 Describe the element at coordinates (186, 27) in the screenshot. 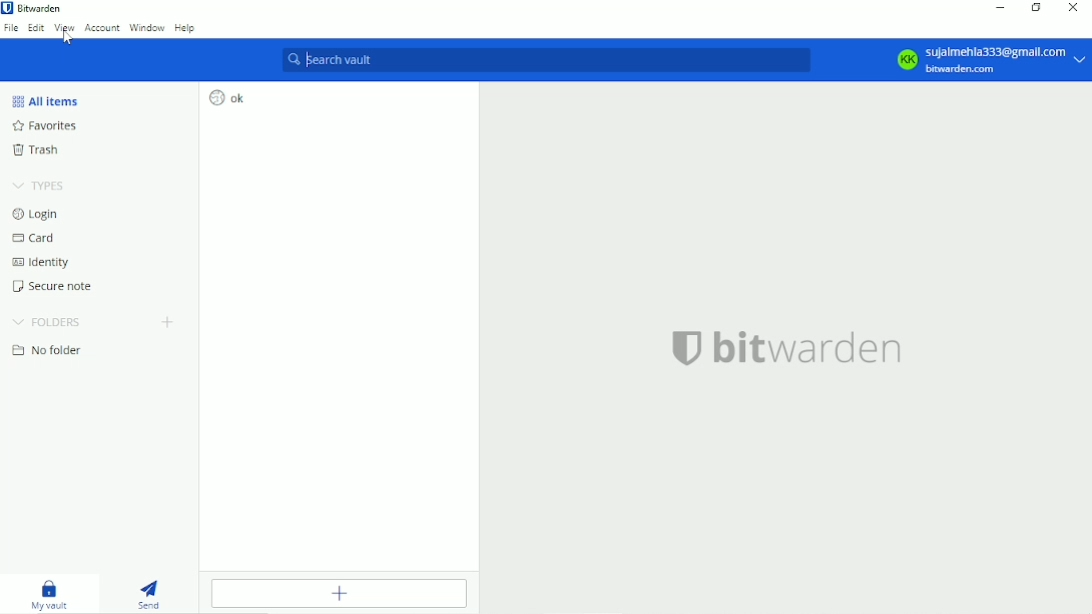

I see `Help` at that location.